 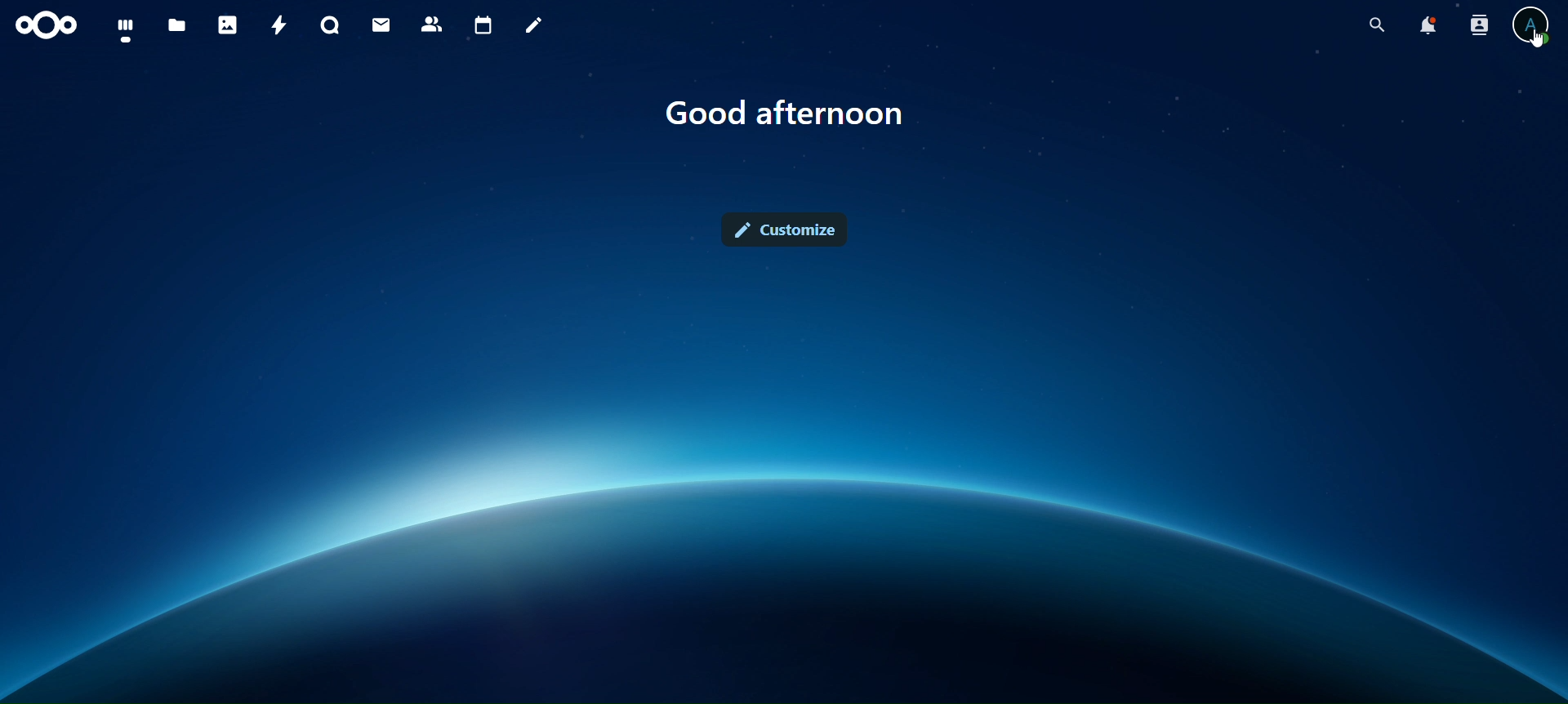 I want to click on text, so click(x=785, y=110).